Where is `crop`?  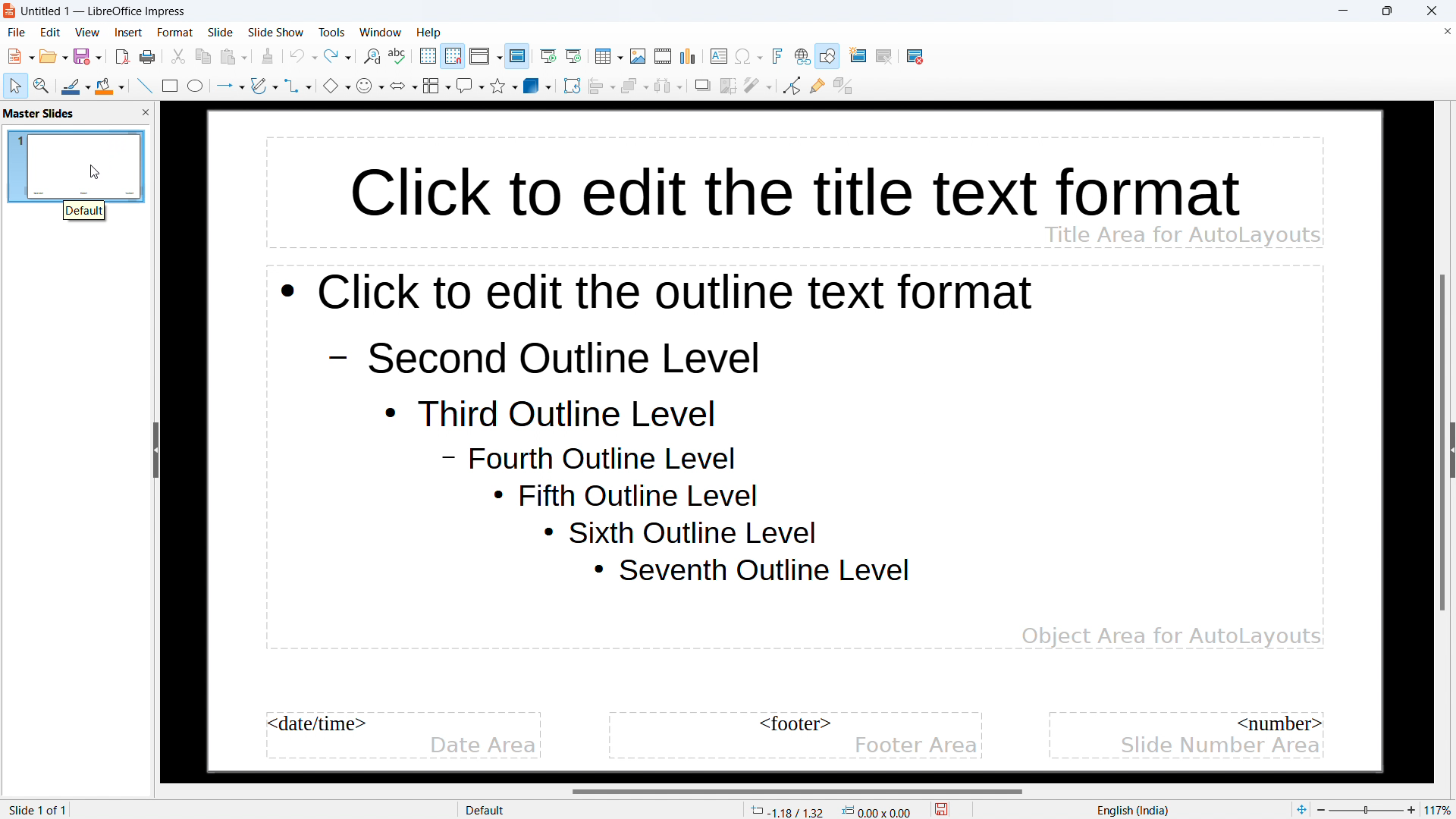
crop is located at coordinates (729, 86).